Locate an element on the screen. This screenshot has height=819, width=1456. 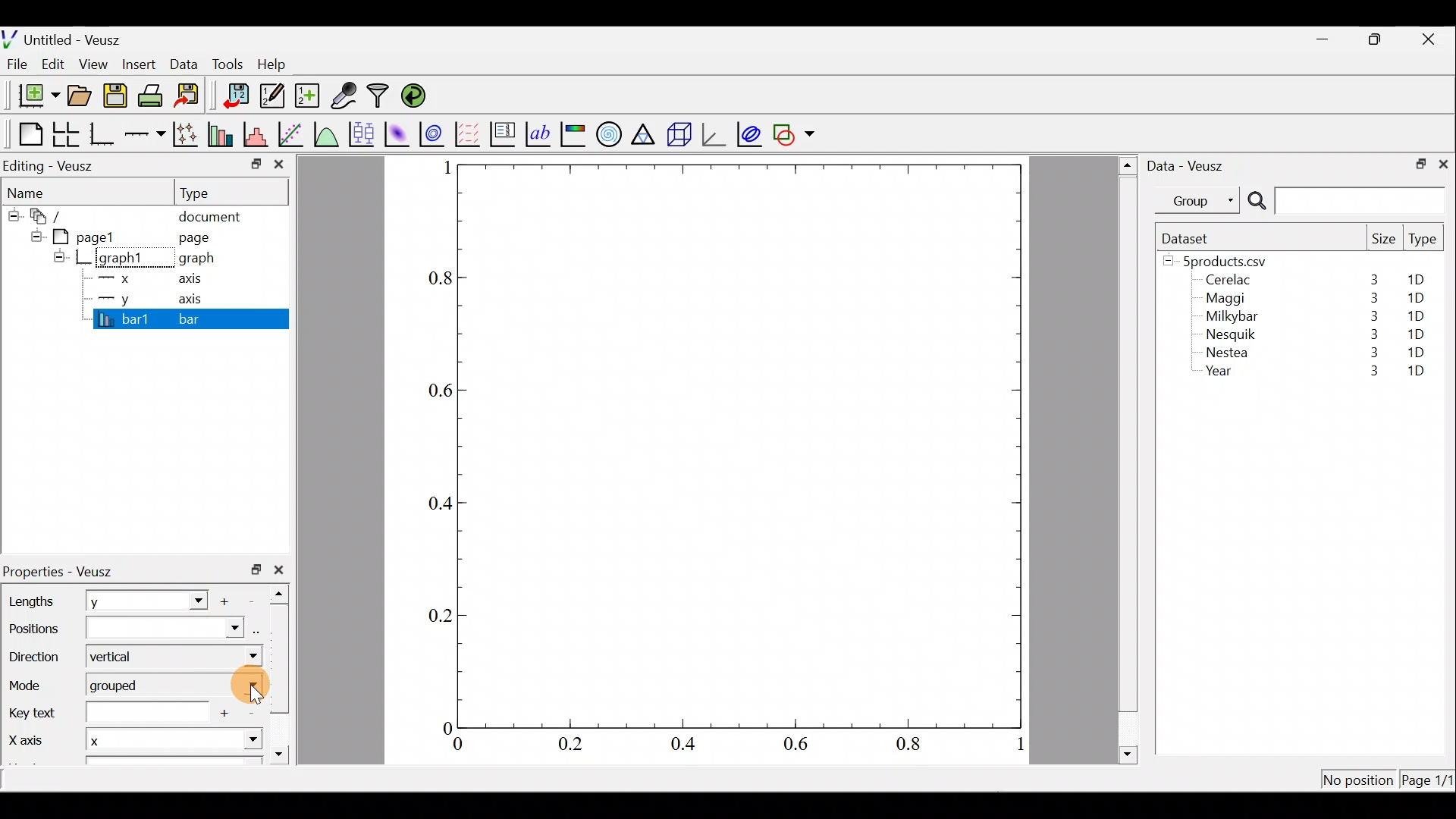
graph is located at coordinates (196, 260).